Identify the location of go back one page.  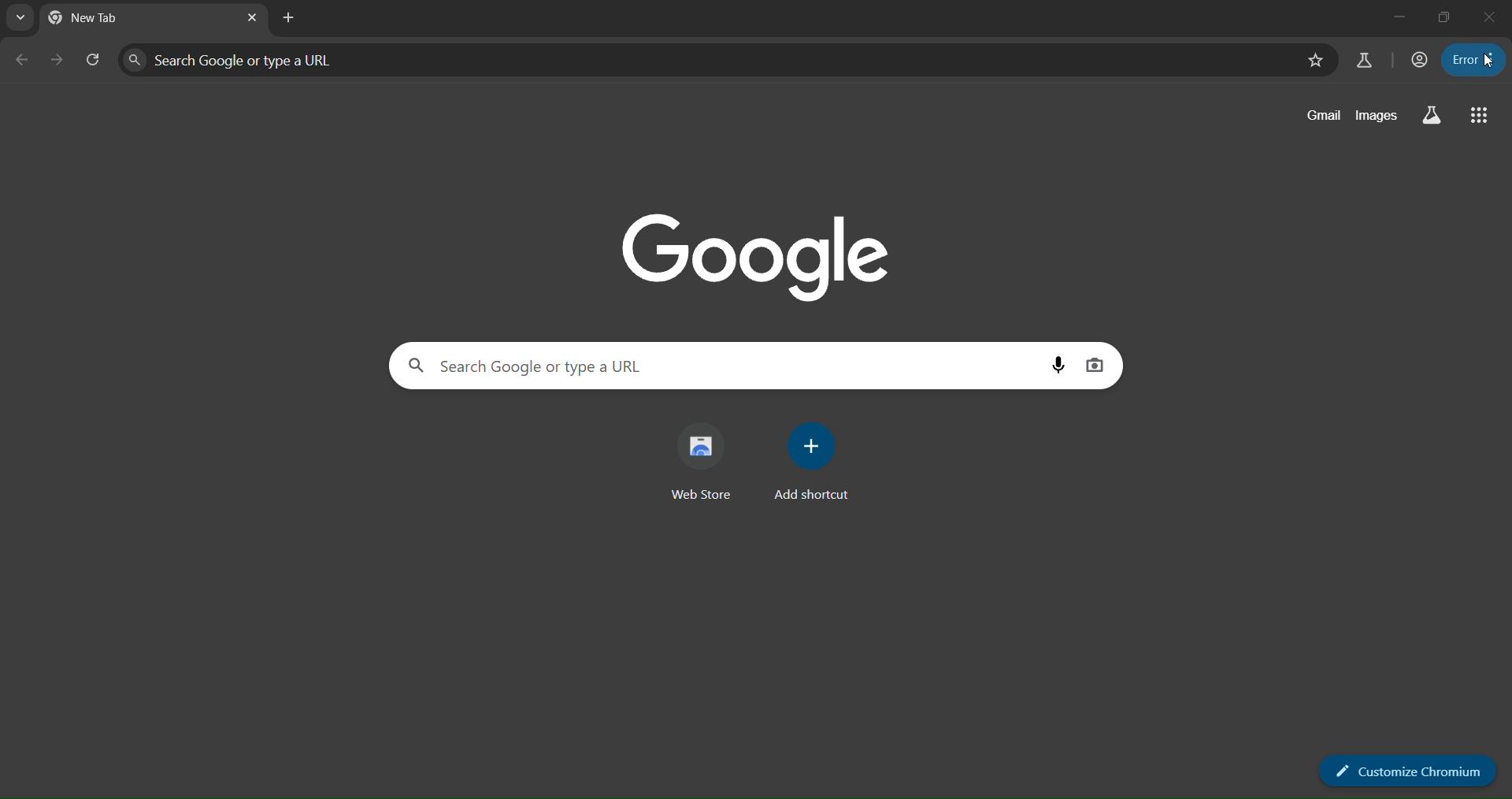
(22, 58).